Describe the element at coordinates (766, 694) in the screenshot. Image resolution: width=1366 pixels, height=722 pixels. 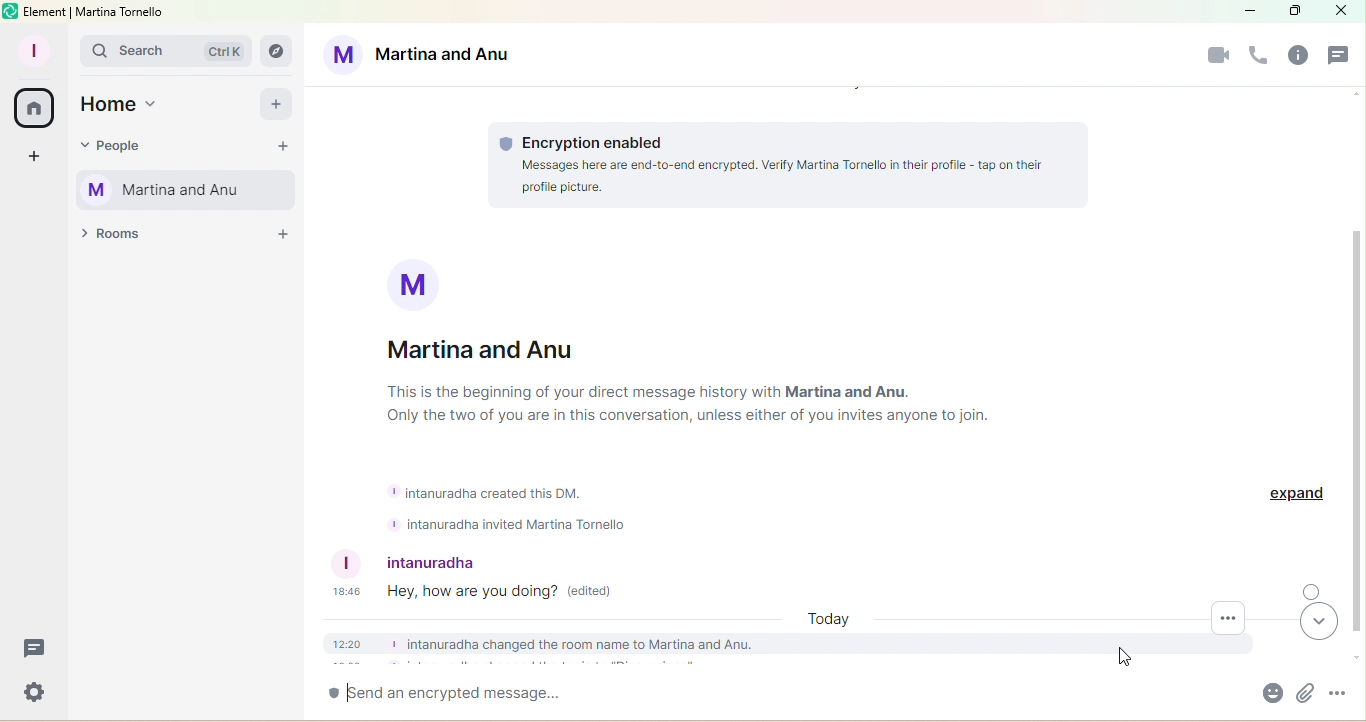
I see `Write message` at that location.